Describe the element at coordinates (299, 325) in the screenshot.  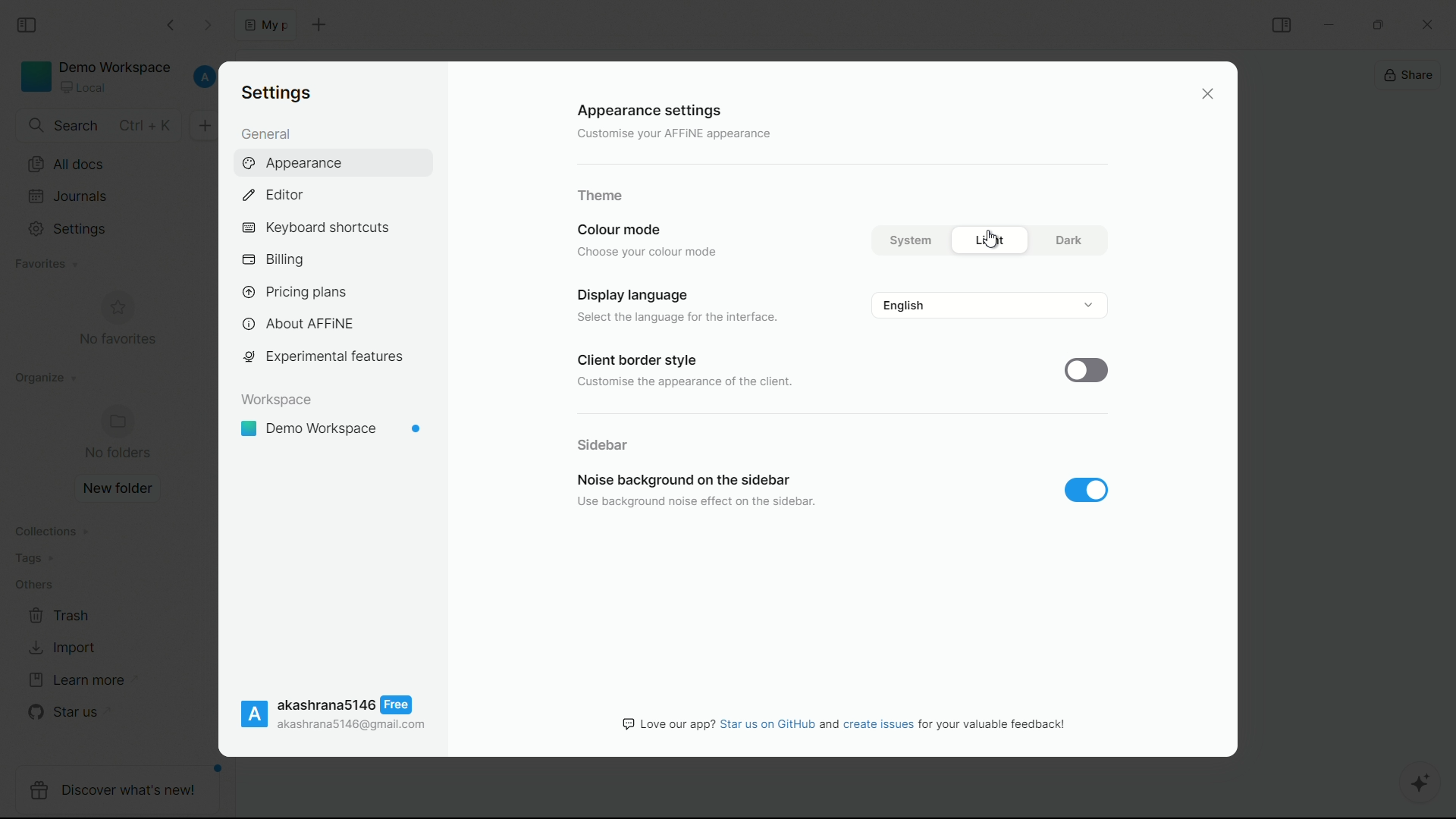
I see `about affine` at that location.